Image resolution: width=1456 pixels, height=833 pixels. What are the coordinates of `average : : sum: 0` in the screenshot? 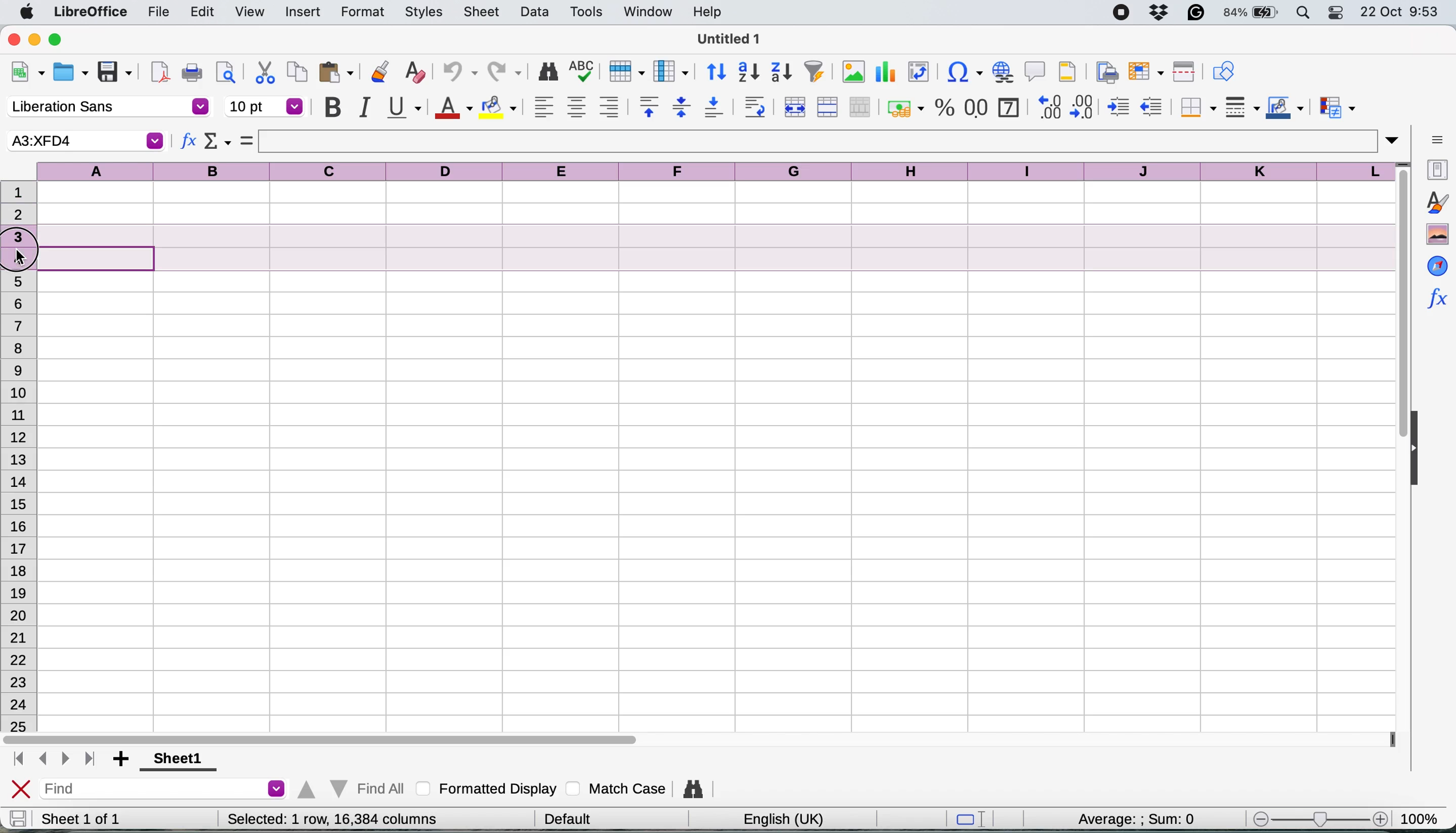 It's located at (1121, 817).